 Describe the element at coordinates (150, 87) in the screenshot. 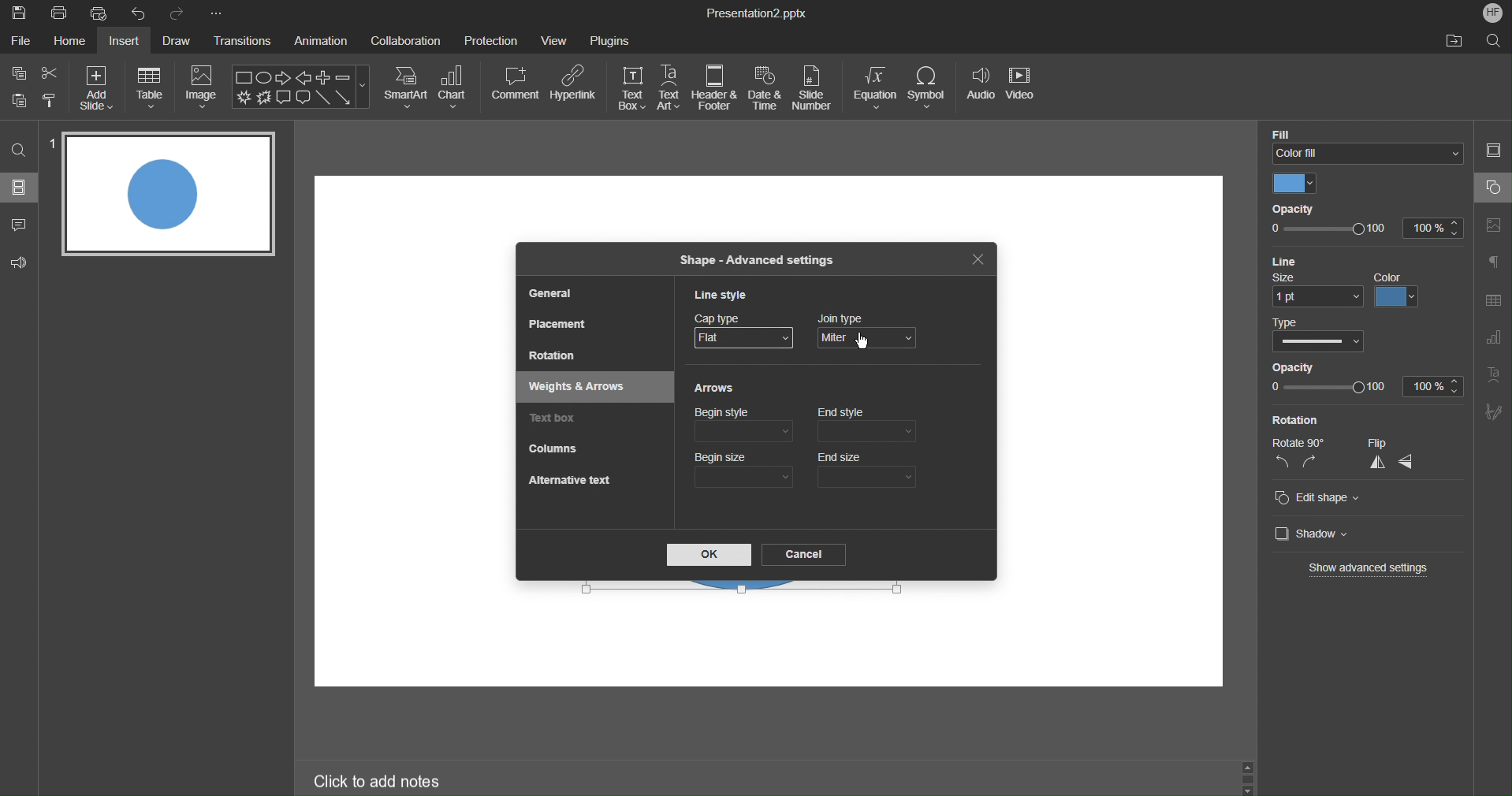

I see `Table` at that location.